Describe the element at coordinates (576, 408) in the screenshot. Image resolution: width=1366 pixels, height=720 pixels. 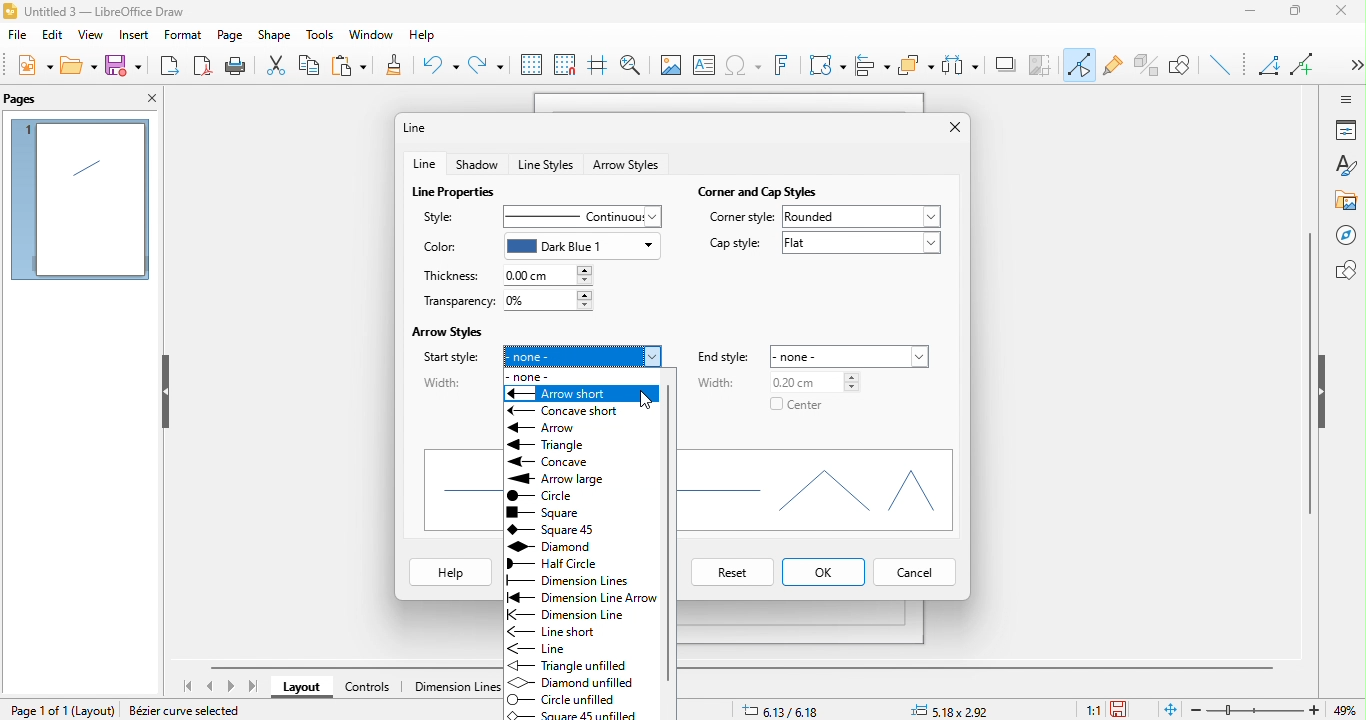
I see `concave short` at that location.